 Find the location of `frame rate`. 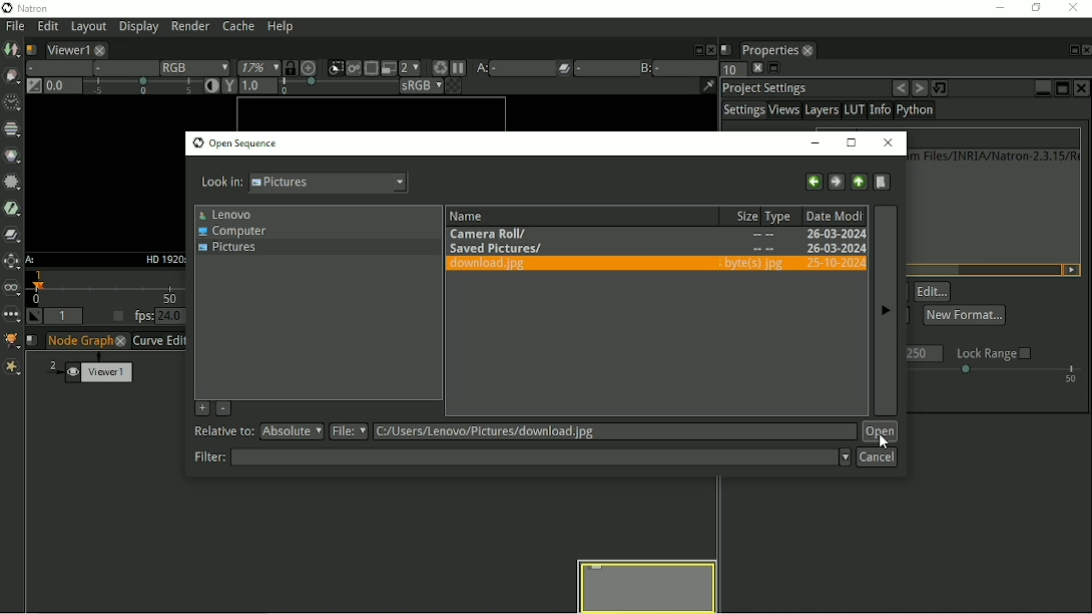

frame rate is located at coordinates (996, 375).